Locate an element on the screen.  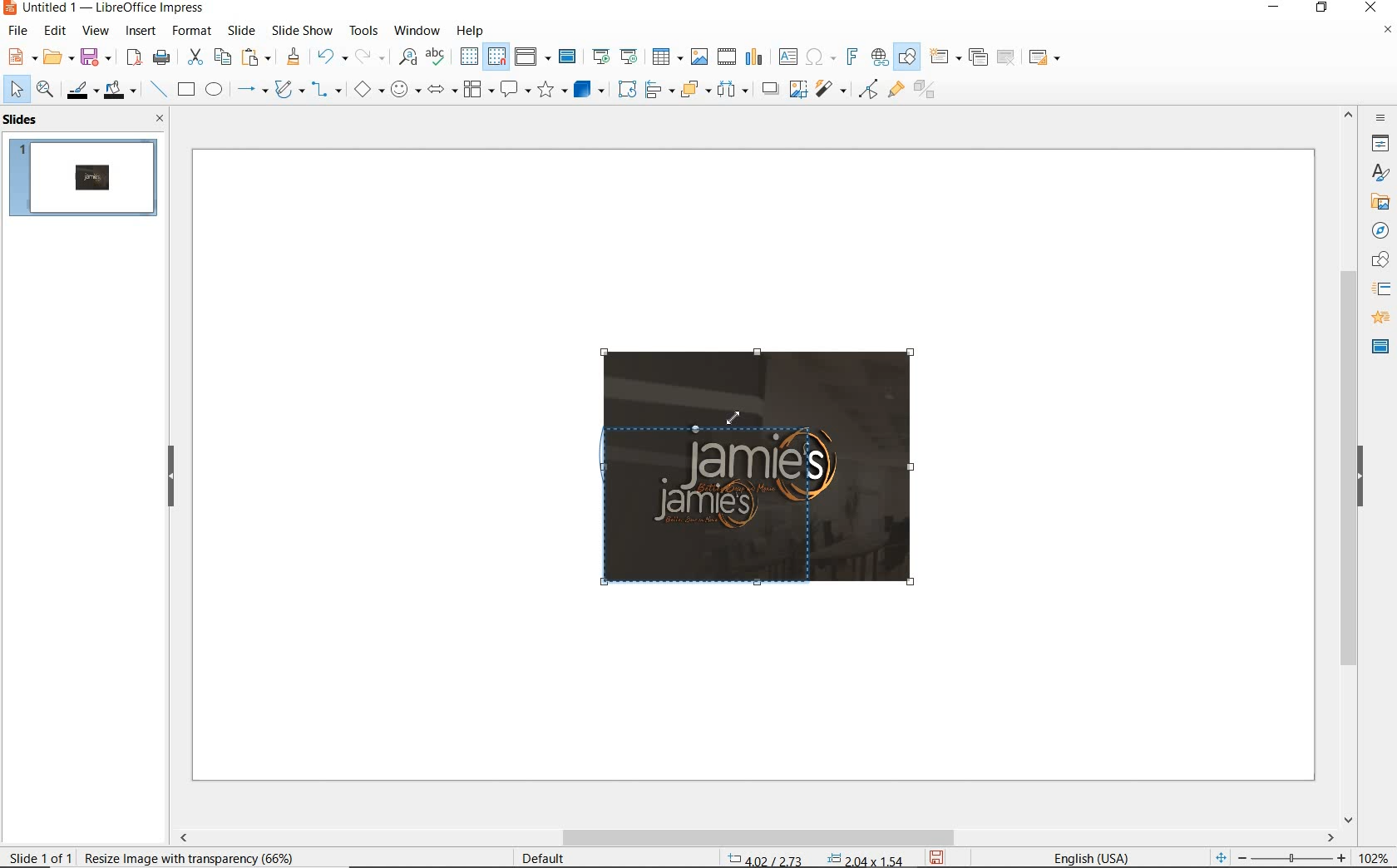
export as PDF is located at coordinates (134, 58).